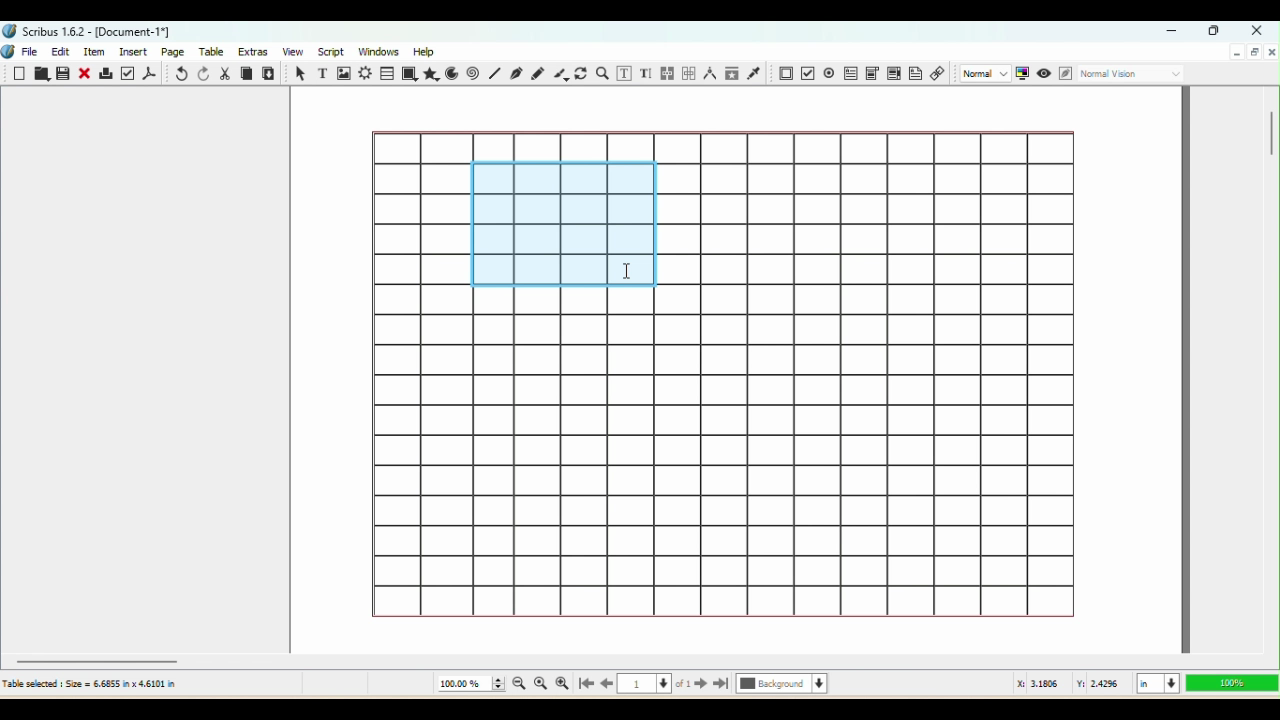 Image resolution: width=1280 pixels, height=720 pixels. Describe the element at coordinates (1271, 368) in the screenshot. I see `Vertical scroll bar` at that location.